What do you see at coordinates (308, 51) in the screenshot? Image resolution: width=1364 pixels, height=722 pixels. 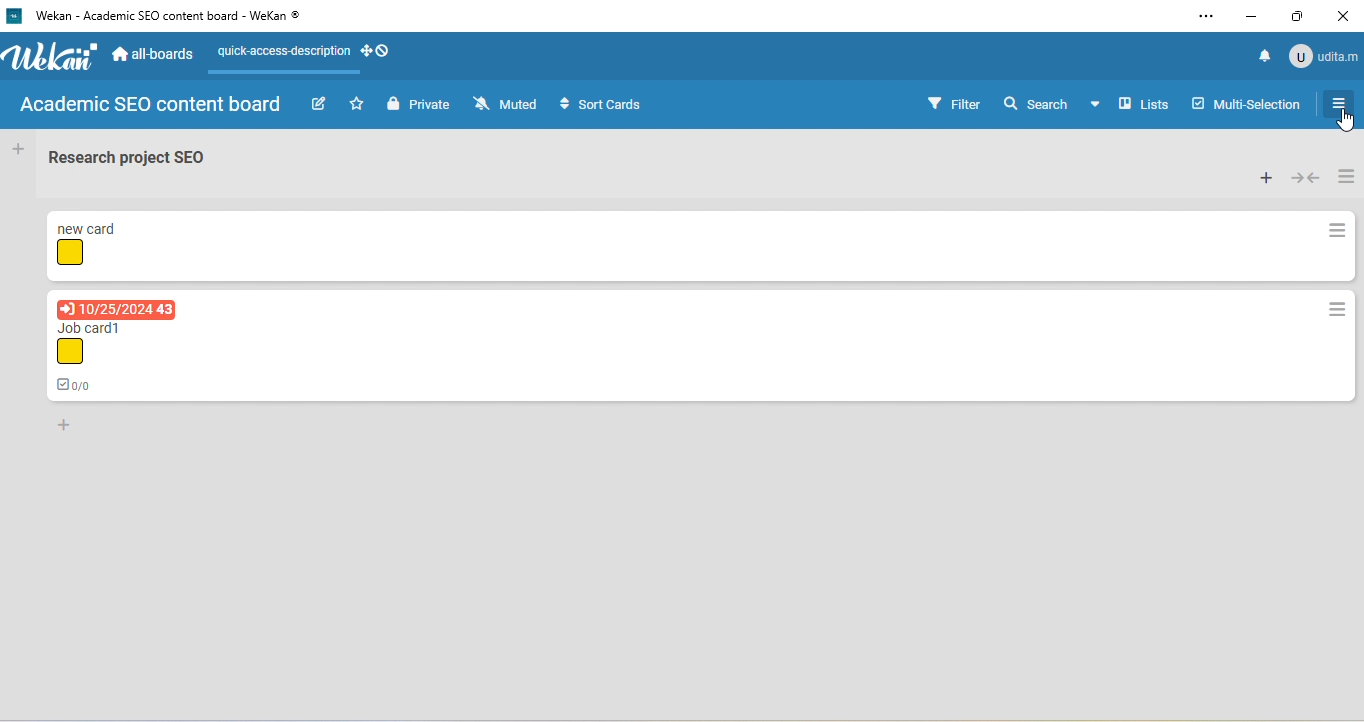 I see `quick access` at bounding box center [308, 51].